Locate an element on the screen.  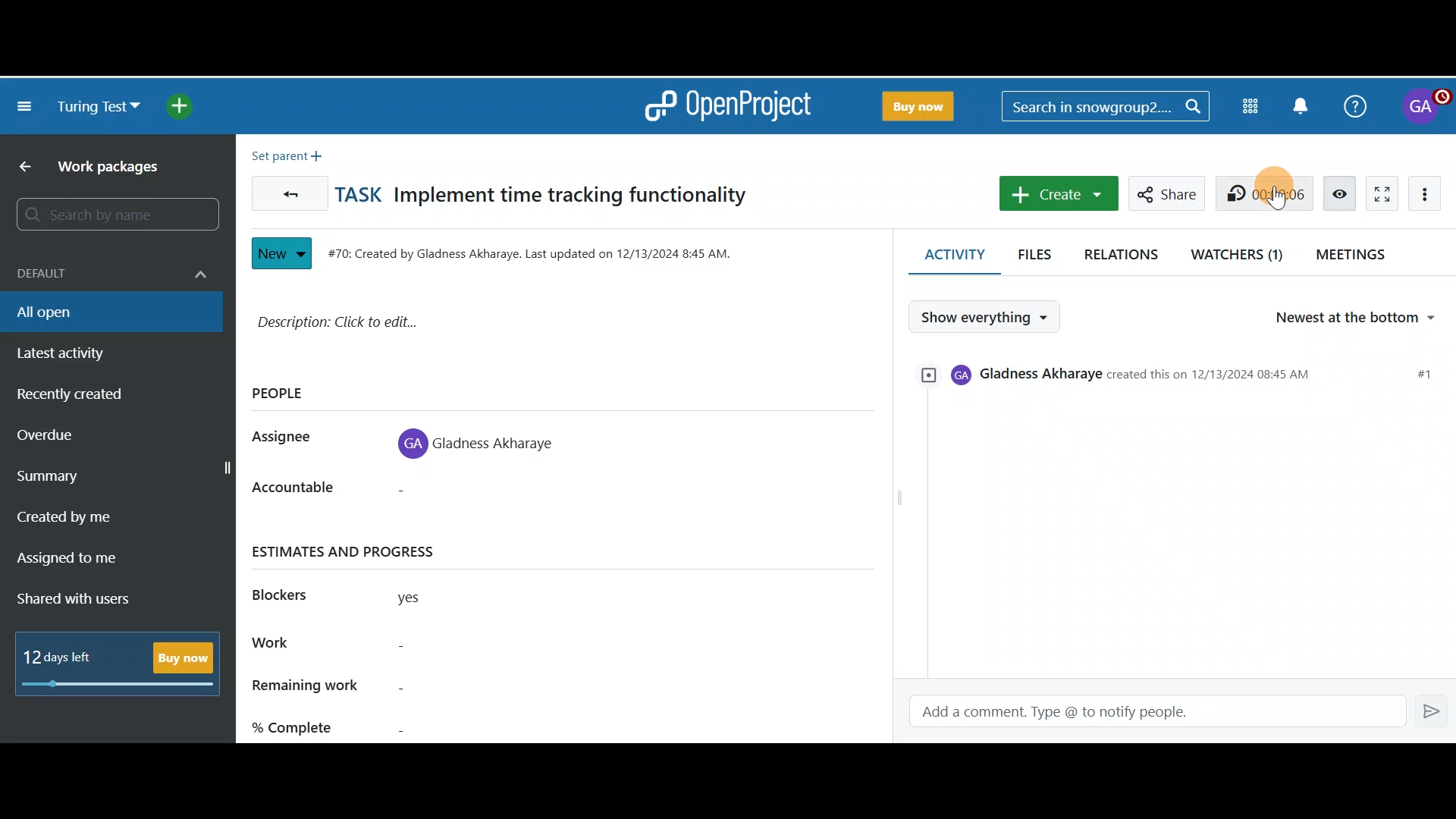
% complete is located at coordinates (404, 724).